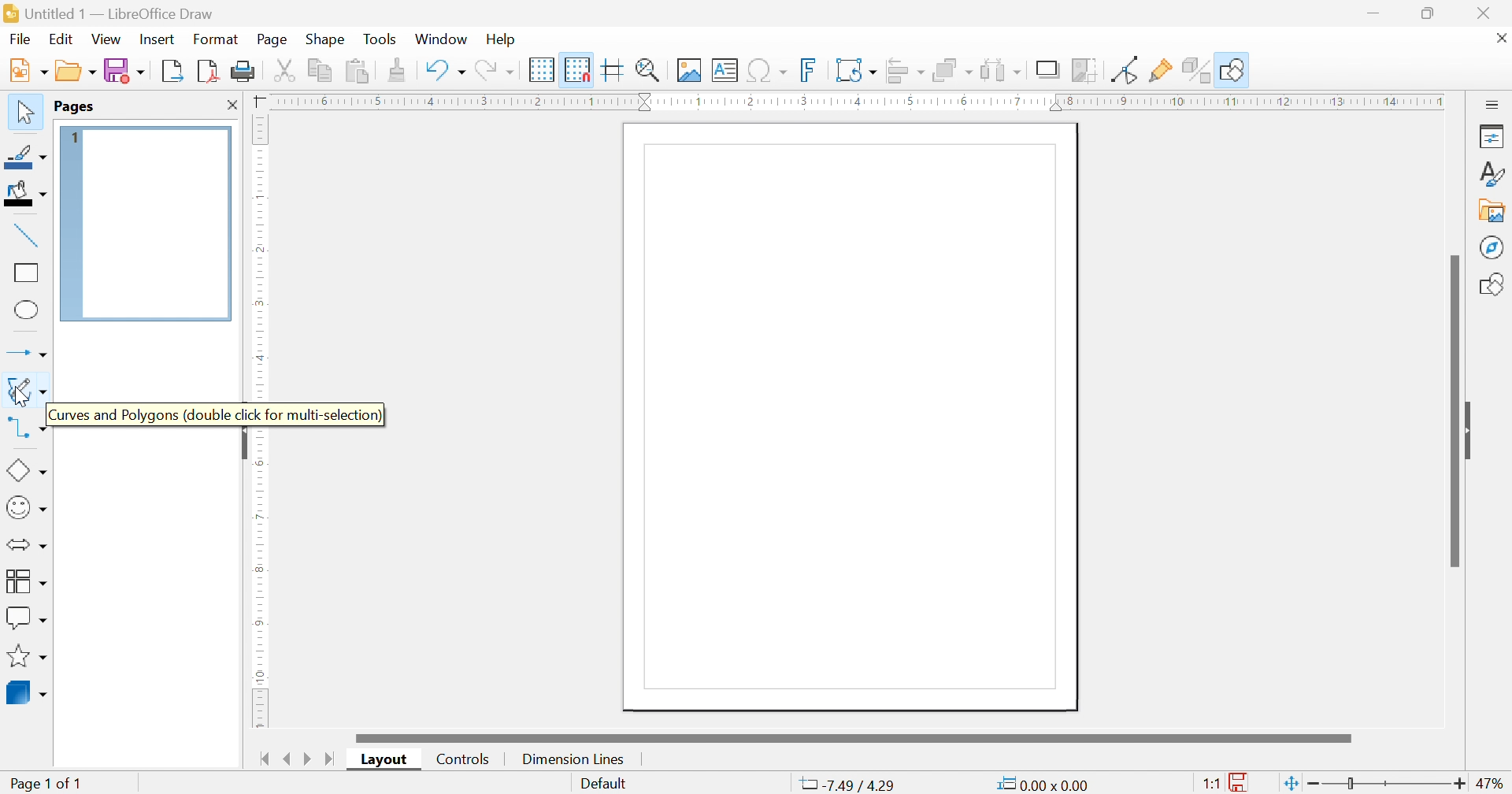 The image size is (1512, 794). I want to click on align objects, so click(903, 72).